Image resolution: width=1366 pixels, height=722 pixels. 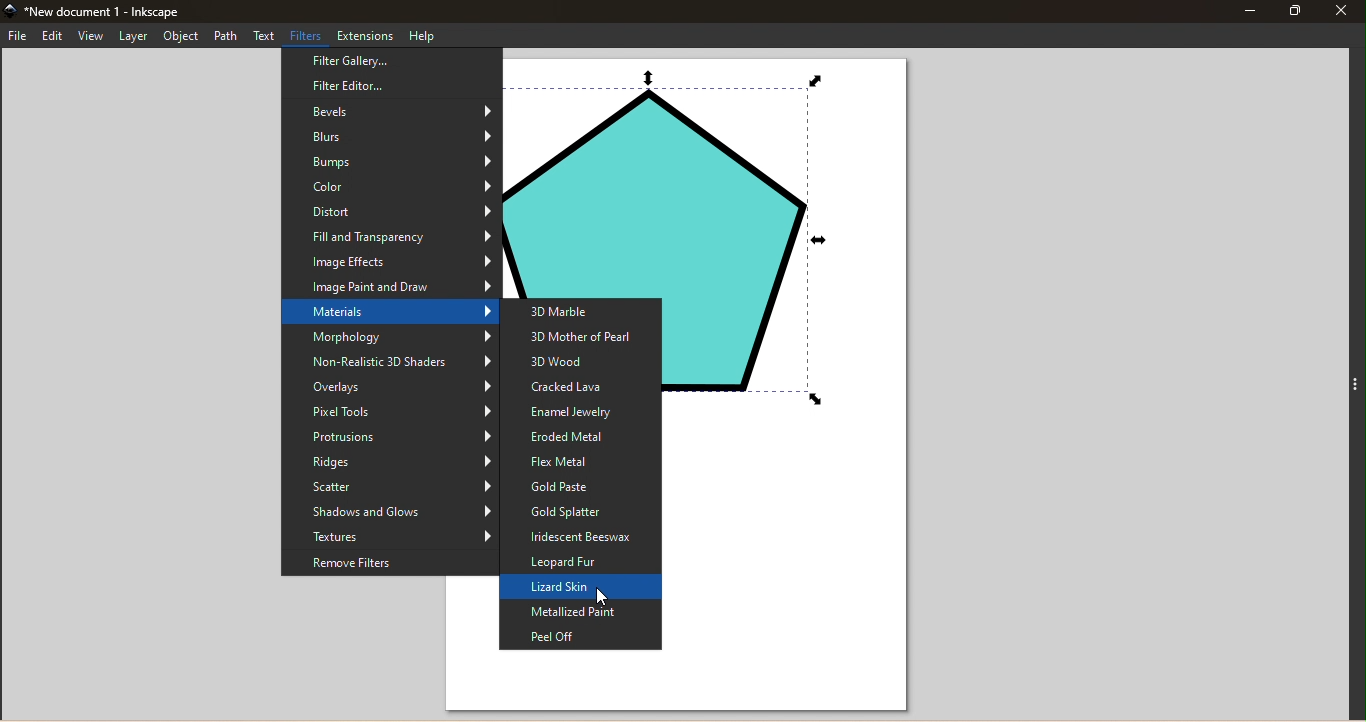 What do you see at coordinates (109, 11) in the screenshot?
I see `New document 1 - Inkscape` at bounding box center [109, 11].